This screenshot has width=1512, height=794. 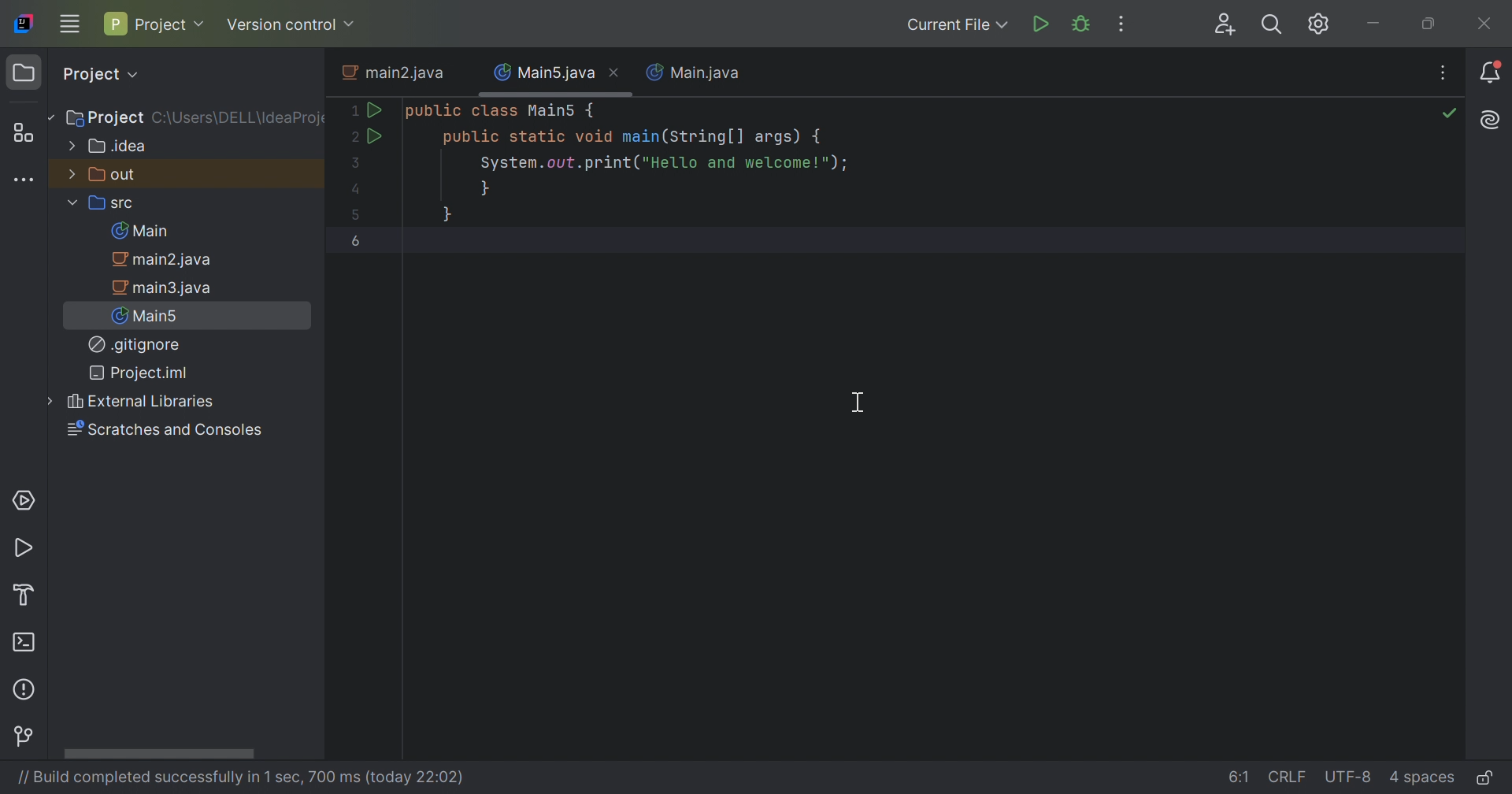 What do you see at coordinates (1240, 775) in the screenshot?
I see `go to line` at bounding box center [1240, 775].